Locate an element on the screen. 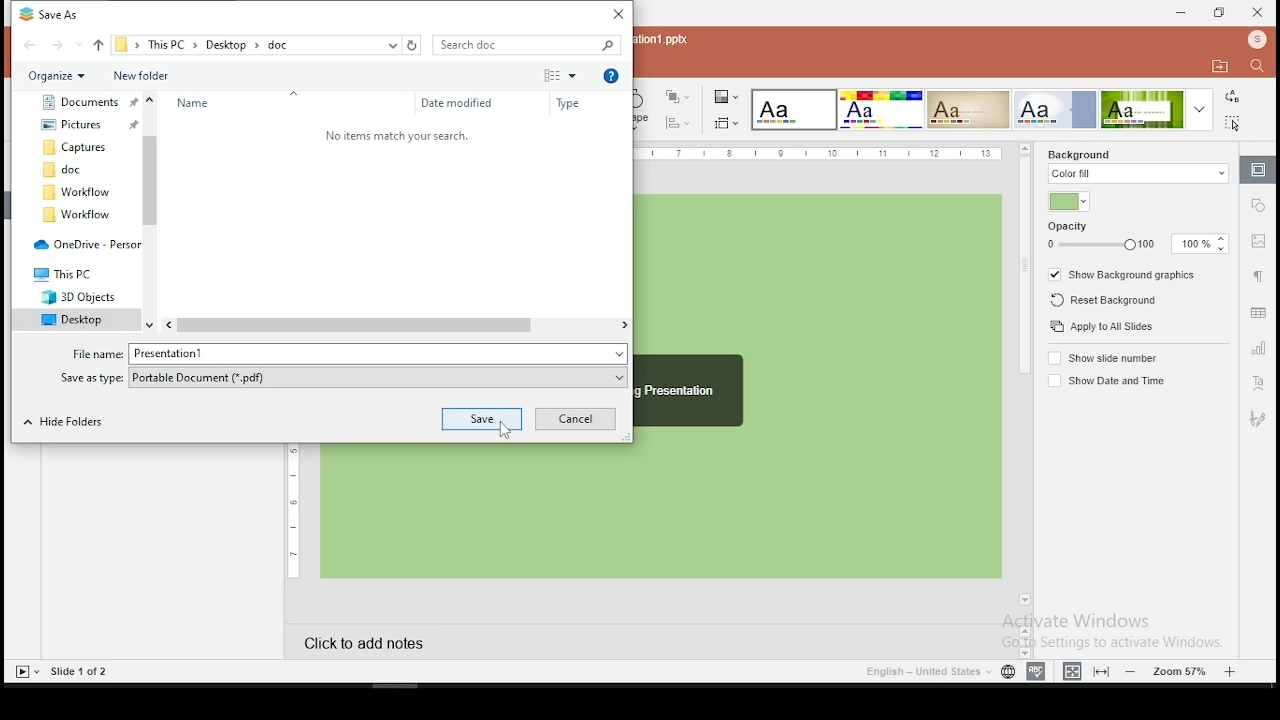  language is located at coordinates (927, 672).